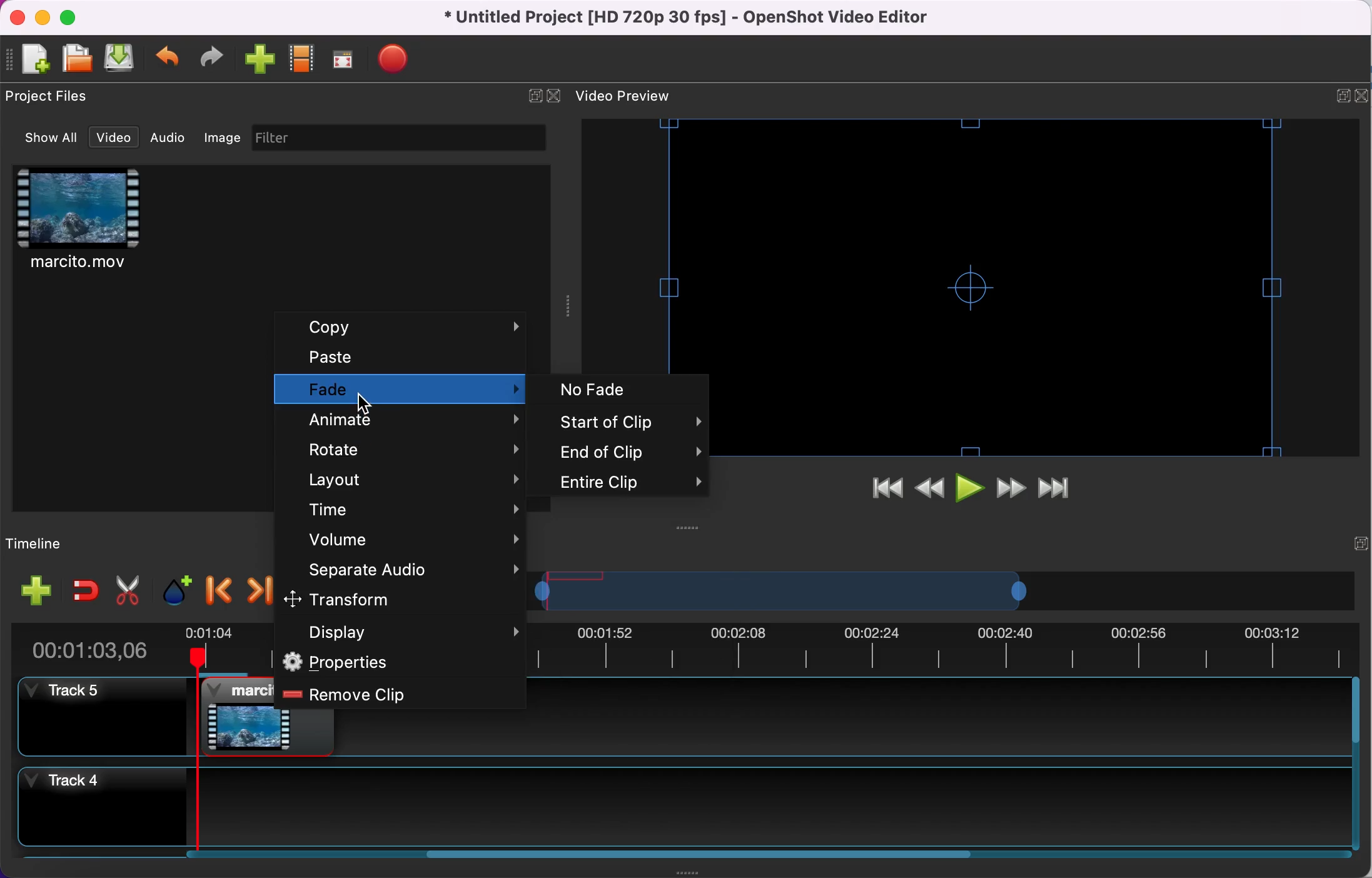 The width and height of the screenshot is (1372, 878). Describe the element at coordinates (259, 59) in the screenshot. I see `import file` at that location.